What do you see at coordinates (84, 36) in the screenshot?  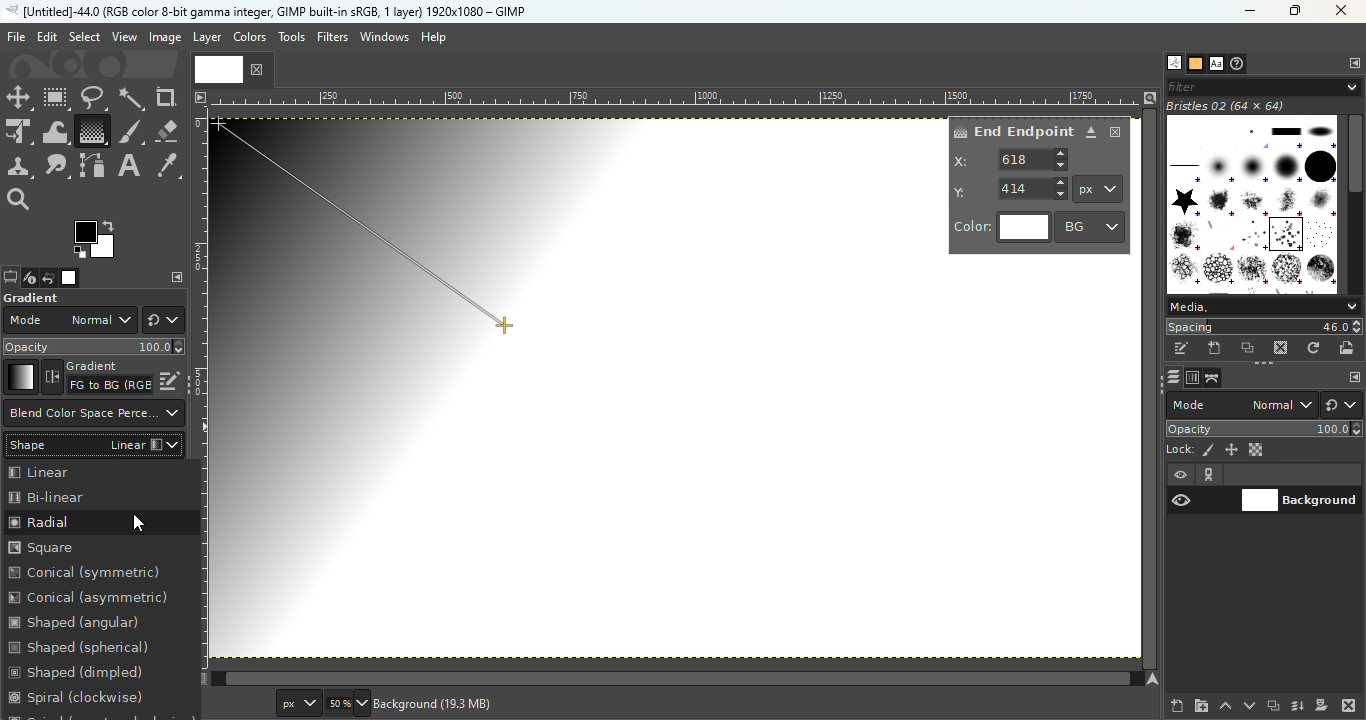 I see `Select` at bounding box center [84, 36].